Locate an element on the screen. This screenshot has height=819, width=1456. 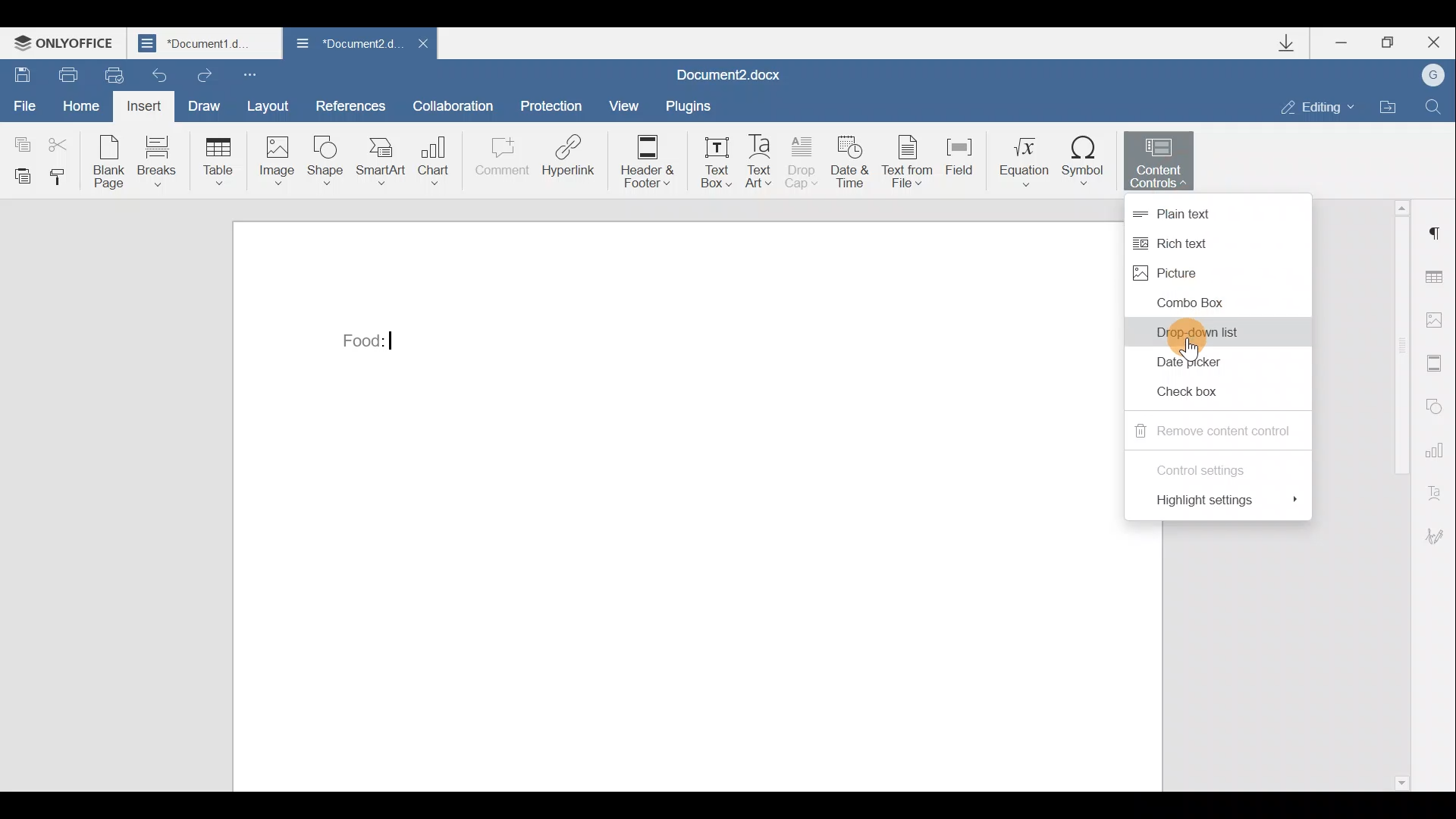
View is located at coordinates (625, 105).